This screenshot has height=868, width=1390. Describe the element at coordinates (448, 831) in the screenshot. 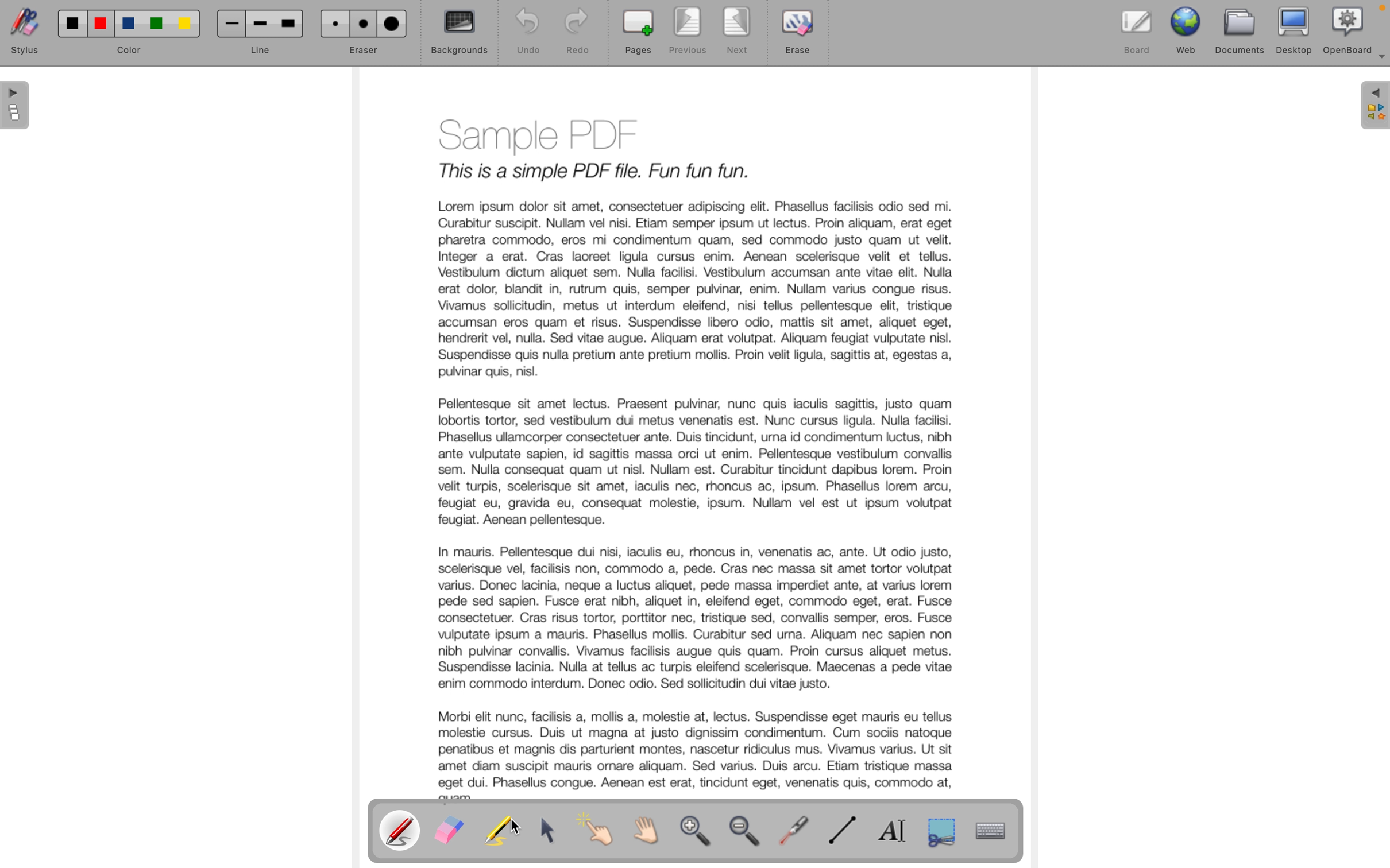

I see `eraser` at that location.